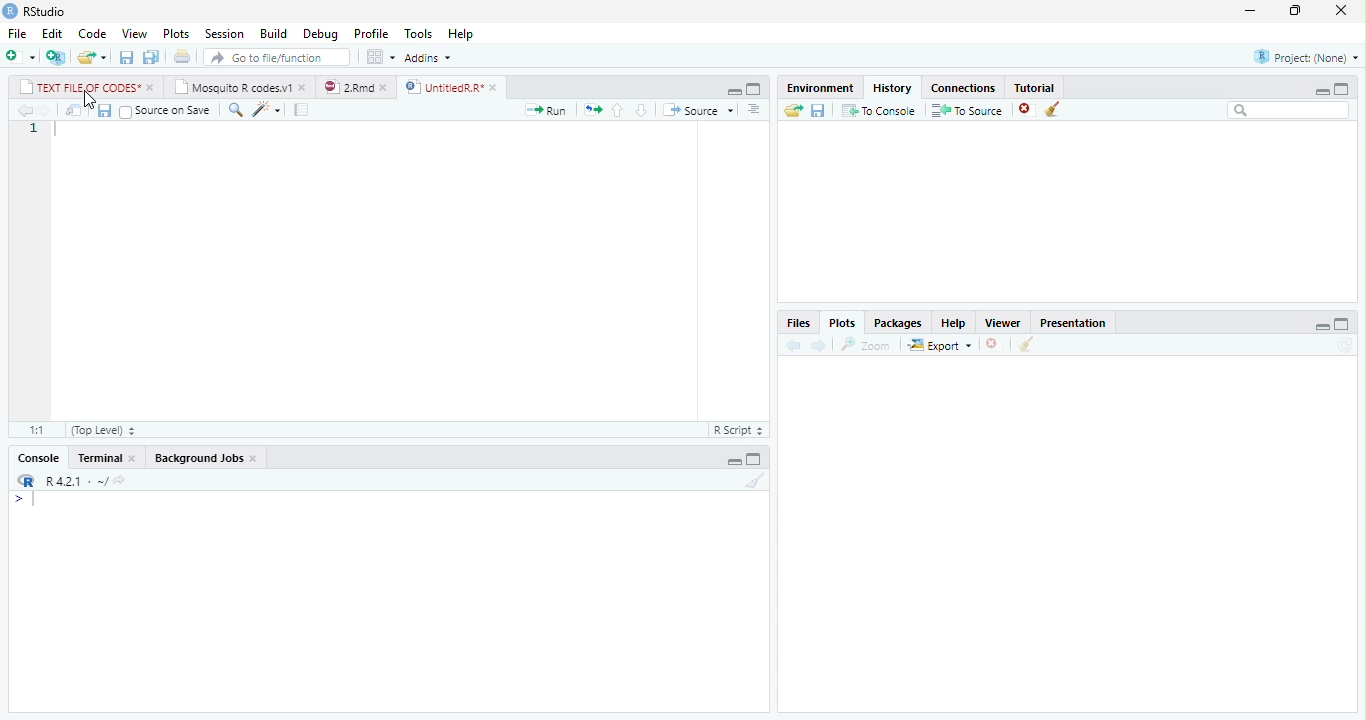  What do you see at coordinates (892, 87) in the screenshot?
I see `History` at bounding box center [892, 87].